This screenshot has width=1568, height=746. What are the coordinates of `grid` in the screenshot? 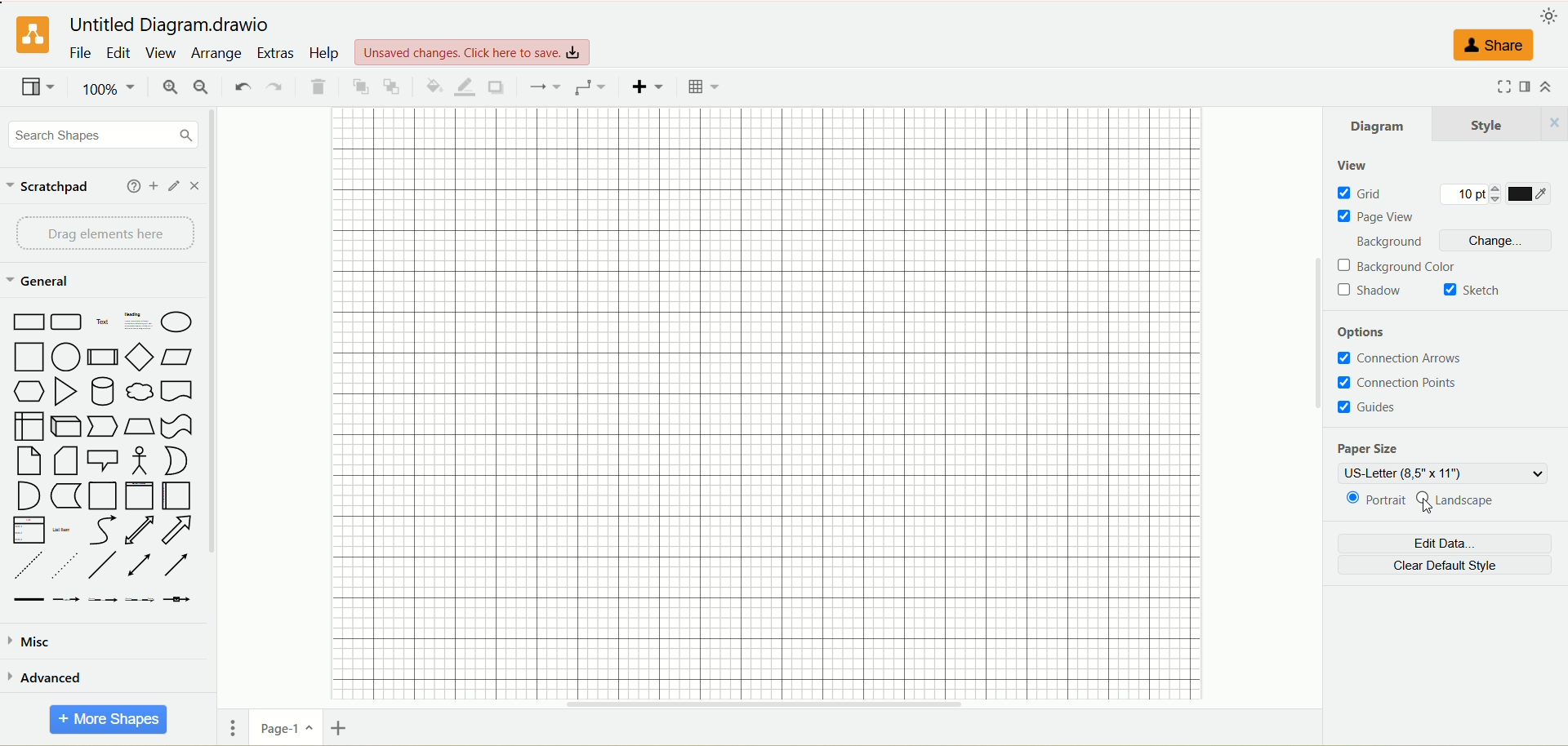 It's located at (1361, 193).